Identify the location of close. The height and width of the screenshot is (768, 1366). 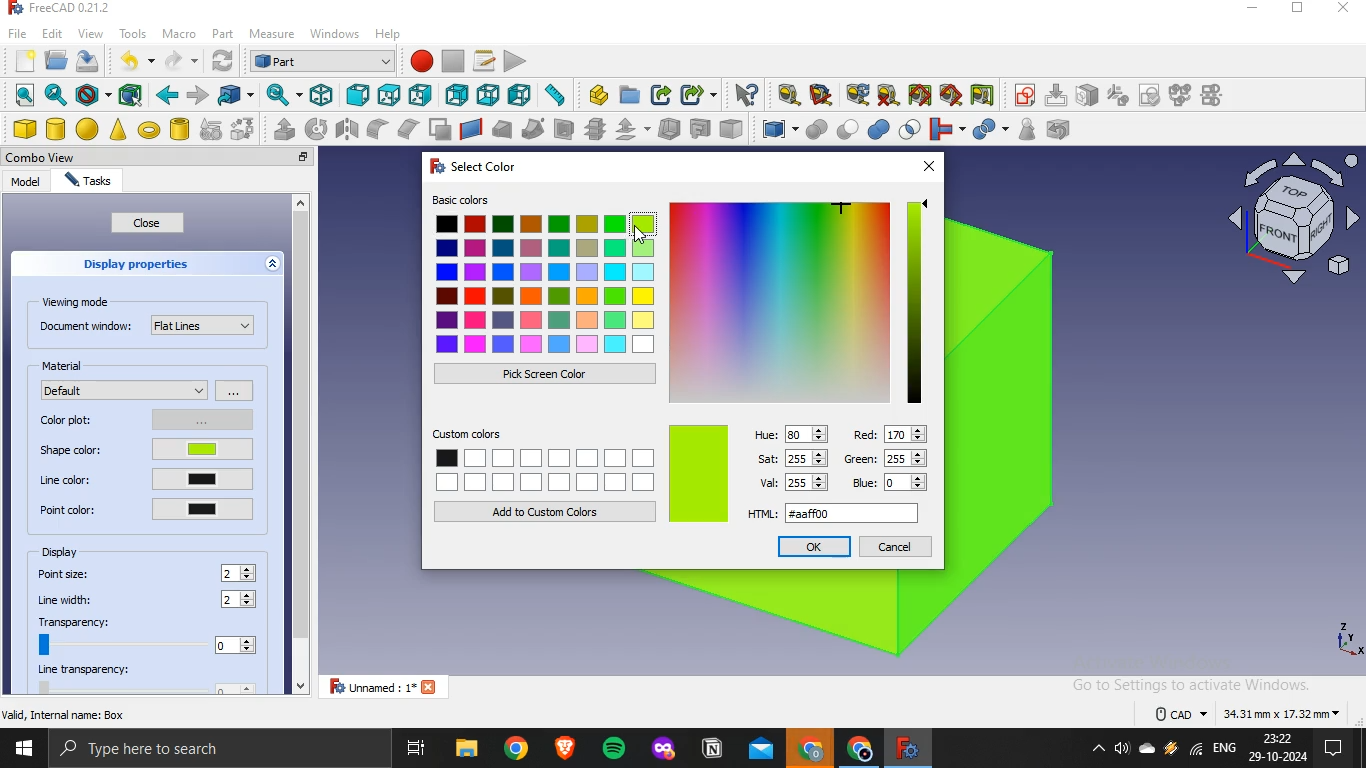
(304, 158).